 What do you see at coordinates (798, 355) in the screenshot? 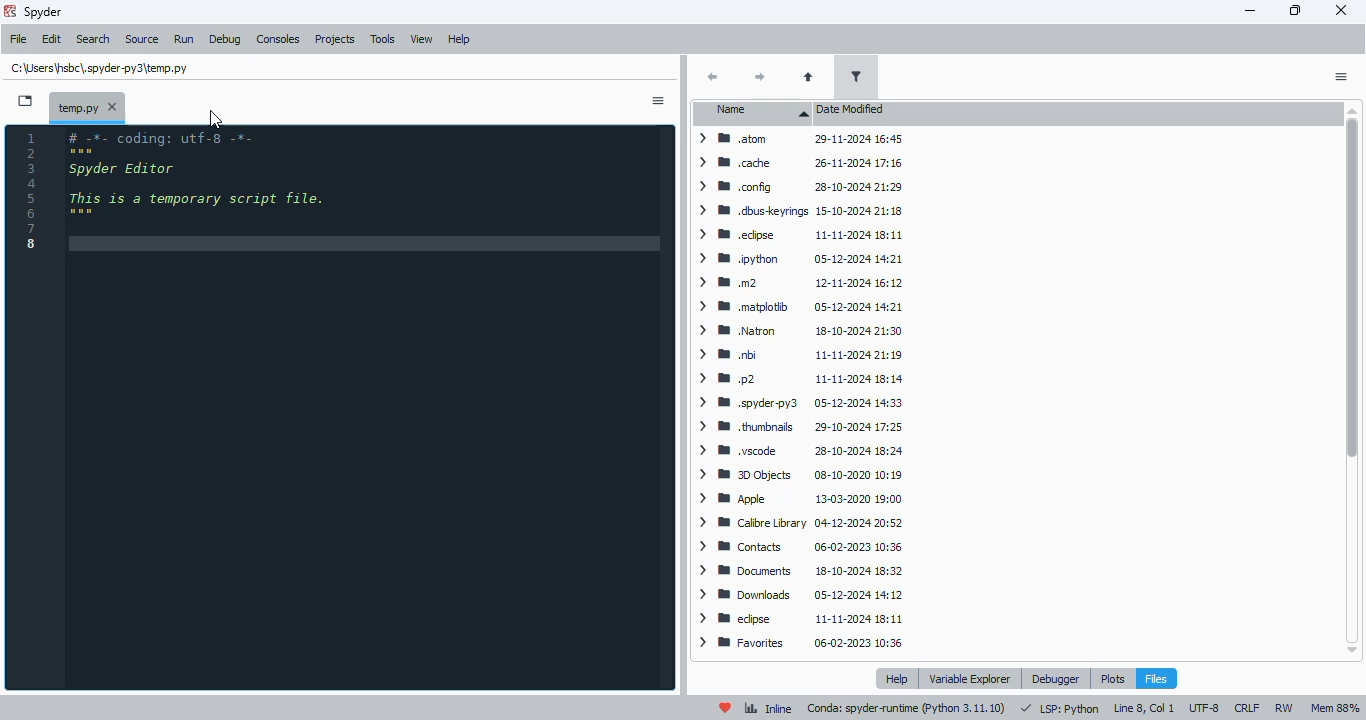
I see `> Mm oobi 11-11-2024 21:19` at bounding box center [798, 355].